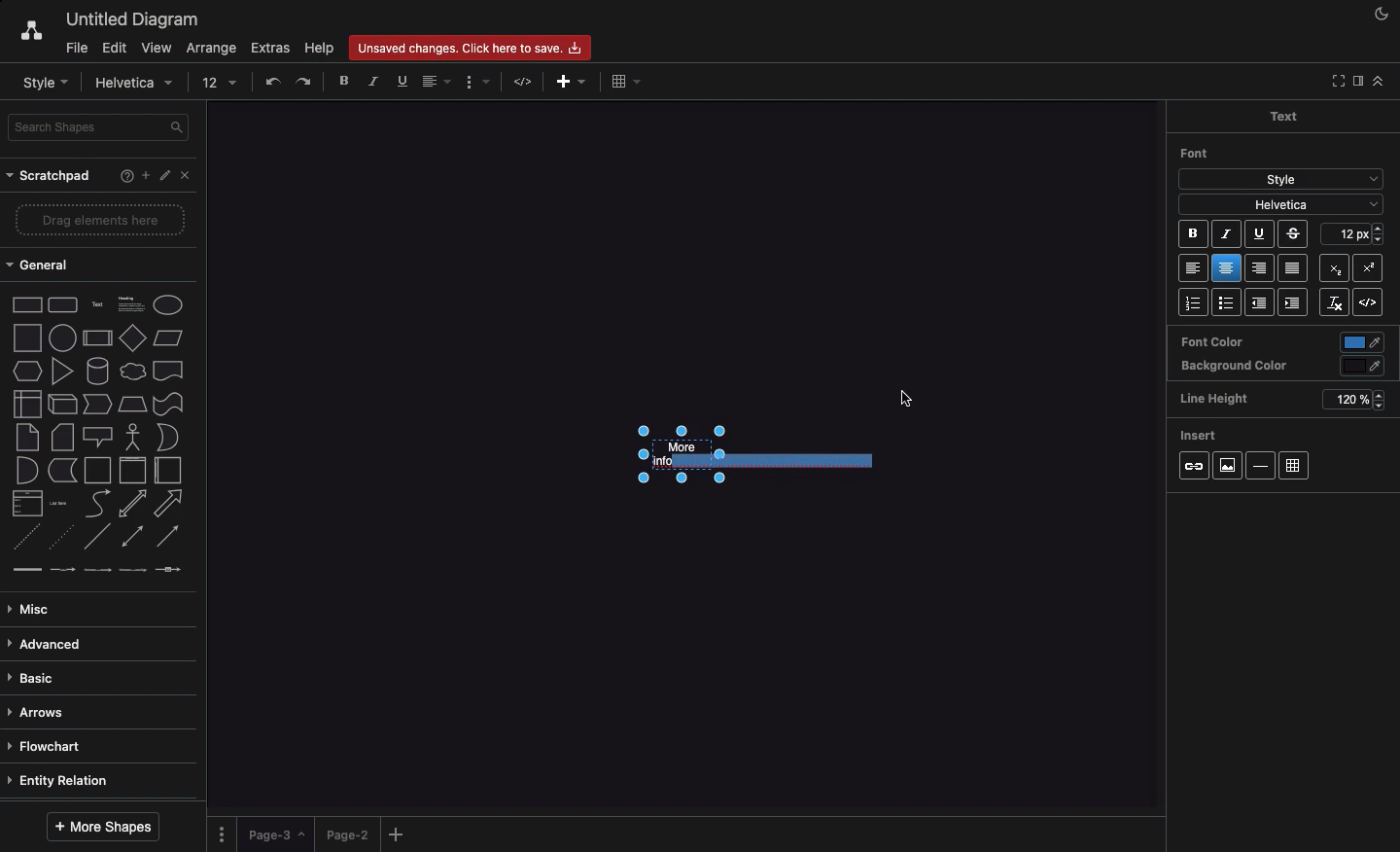  Describe the element at coordinates (63, 303) in the screenshot. I see `rounded rectangle` at that location.